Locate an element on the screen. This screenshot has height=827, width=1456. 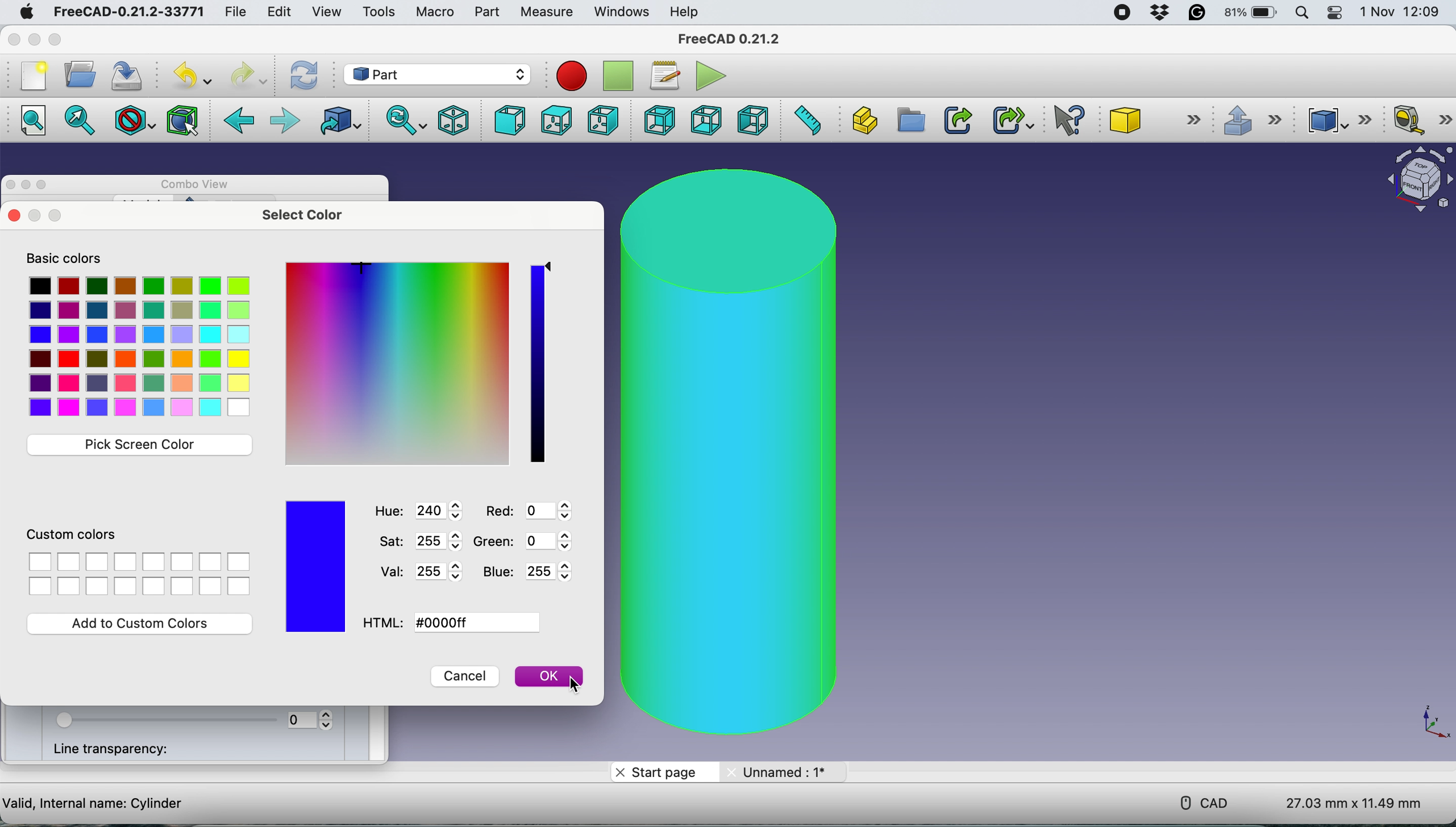
file is located at coordinates (239, 12).